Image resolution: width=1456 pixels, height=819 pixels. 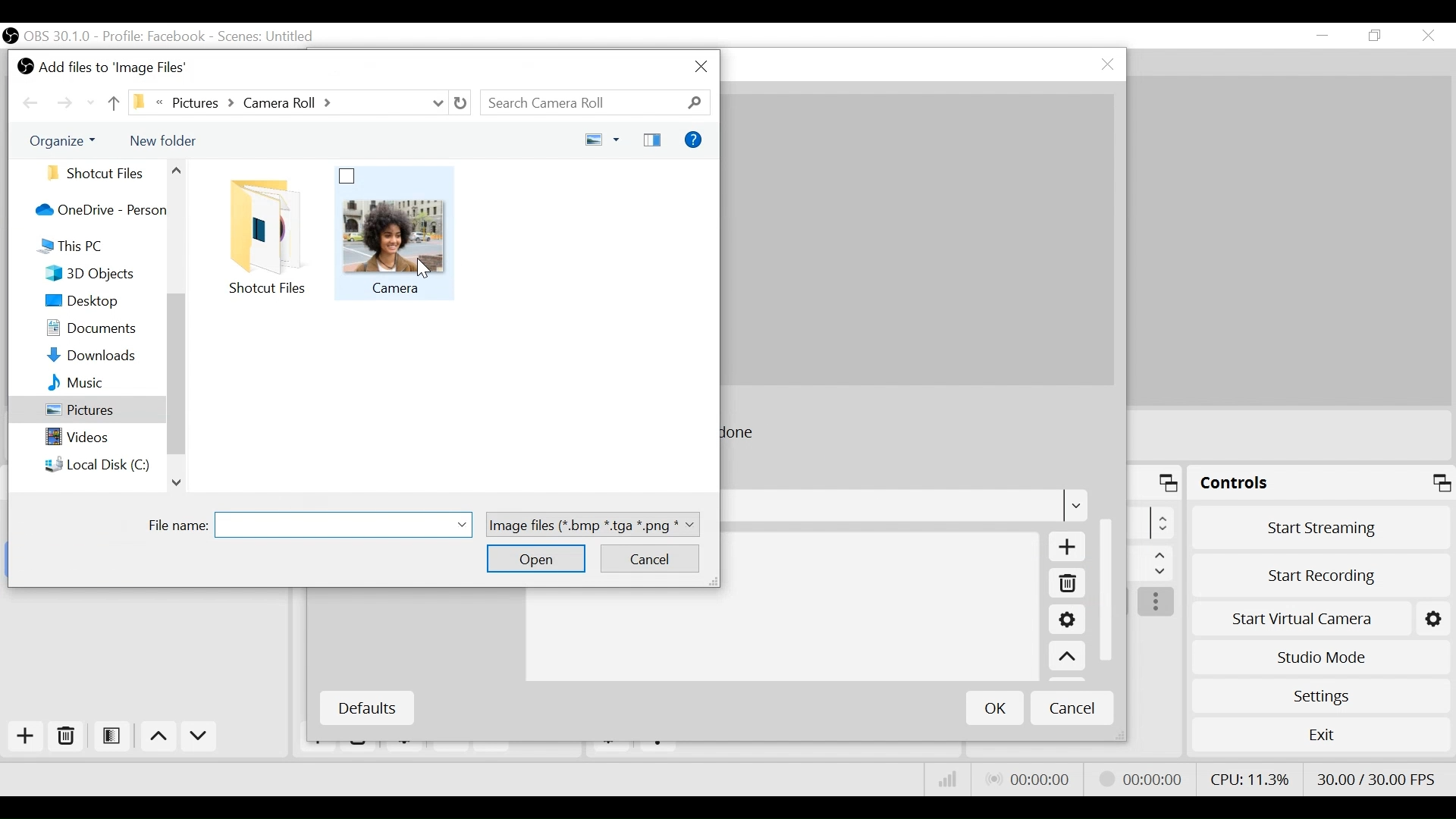 What do you see at coordinates (598, 522) in the screenshot?
I see `image files (*.bmp*.tga*.png` at bounding box center [598, 522].